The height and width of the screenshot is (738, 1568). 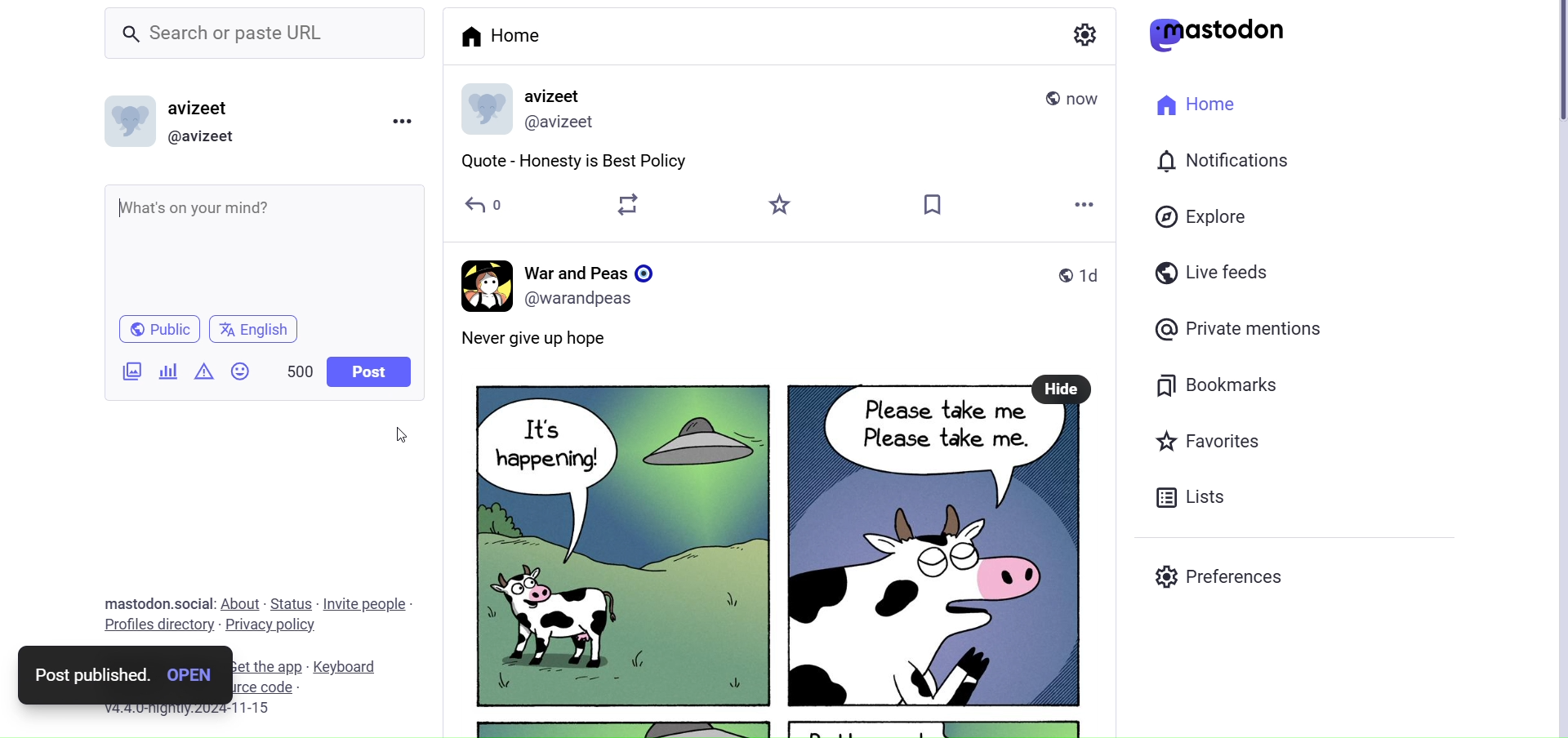 I want to click on What's on your mind, so click(x=261, y=245).